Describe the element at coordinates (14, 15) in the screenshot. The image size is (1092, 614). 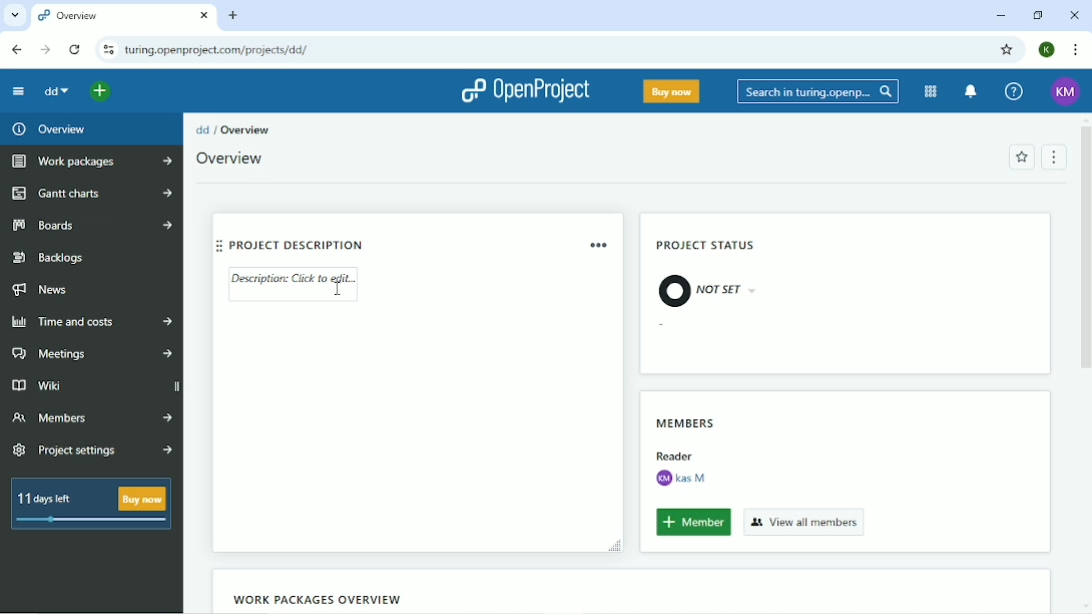
I see `Select tabs` at that location.